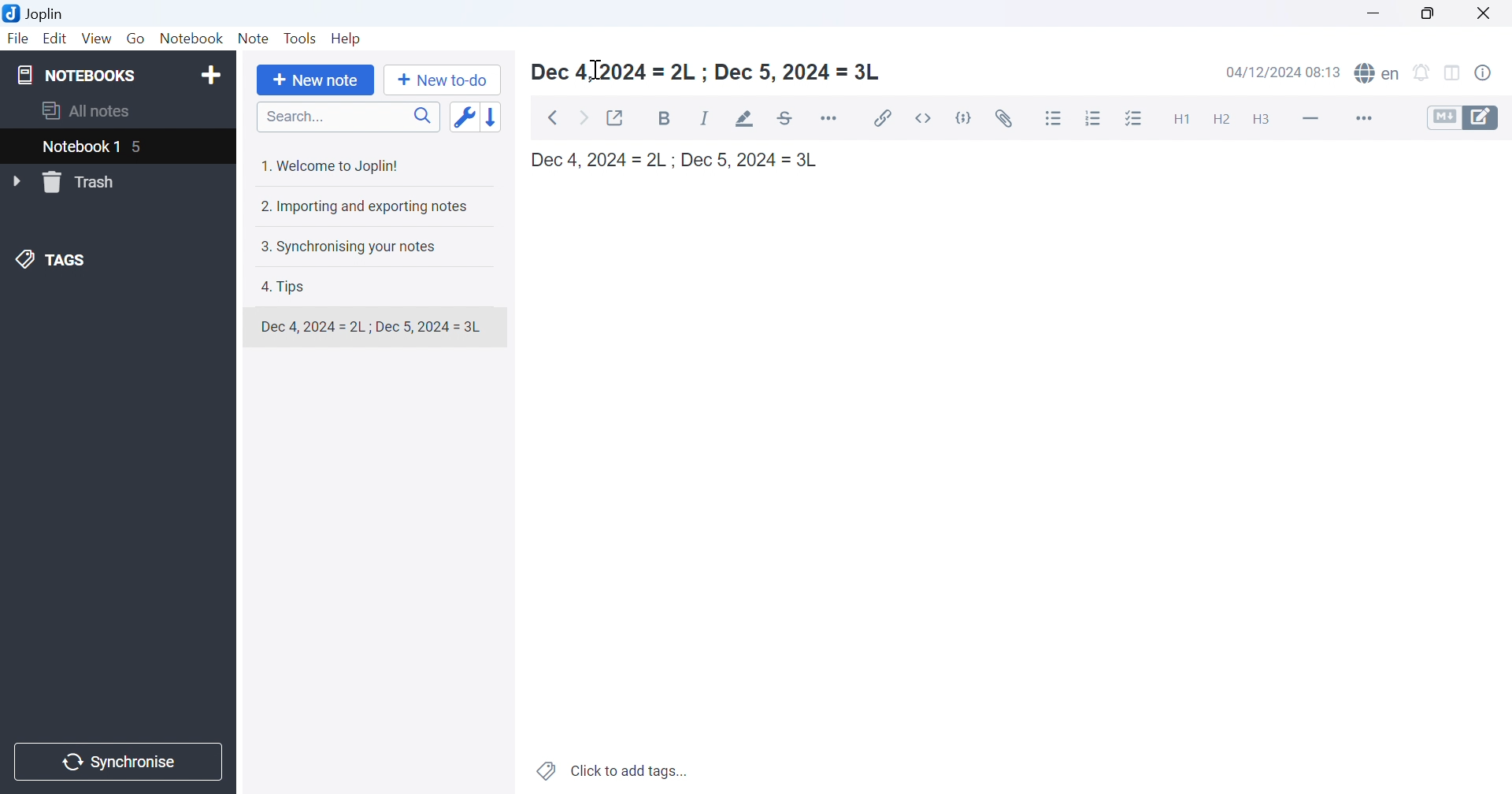 The height and width of the screenshot is (794, 1512). What do you see at coordinates (442, 82) in the screenshot?
I see `New to-do` at bounding box center [442, 82].